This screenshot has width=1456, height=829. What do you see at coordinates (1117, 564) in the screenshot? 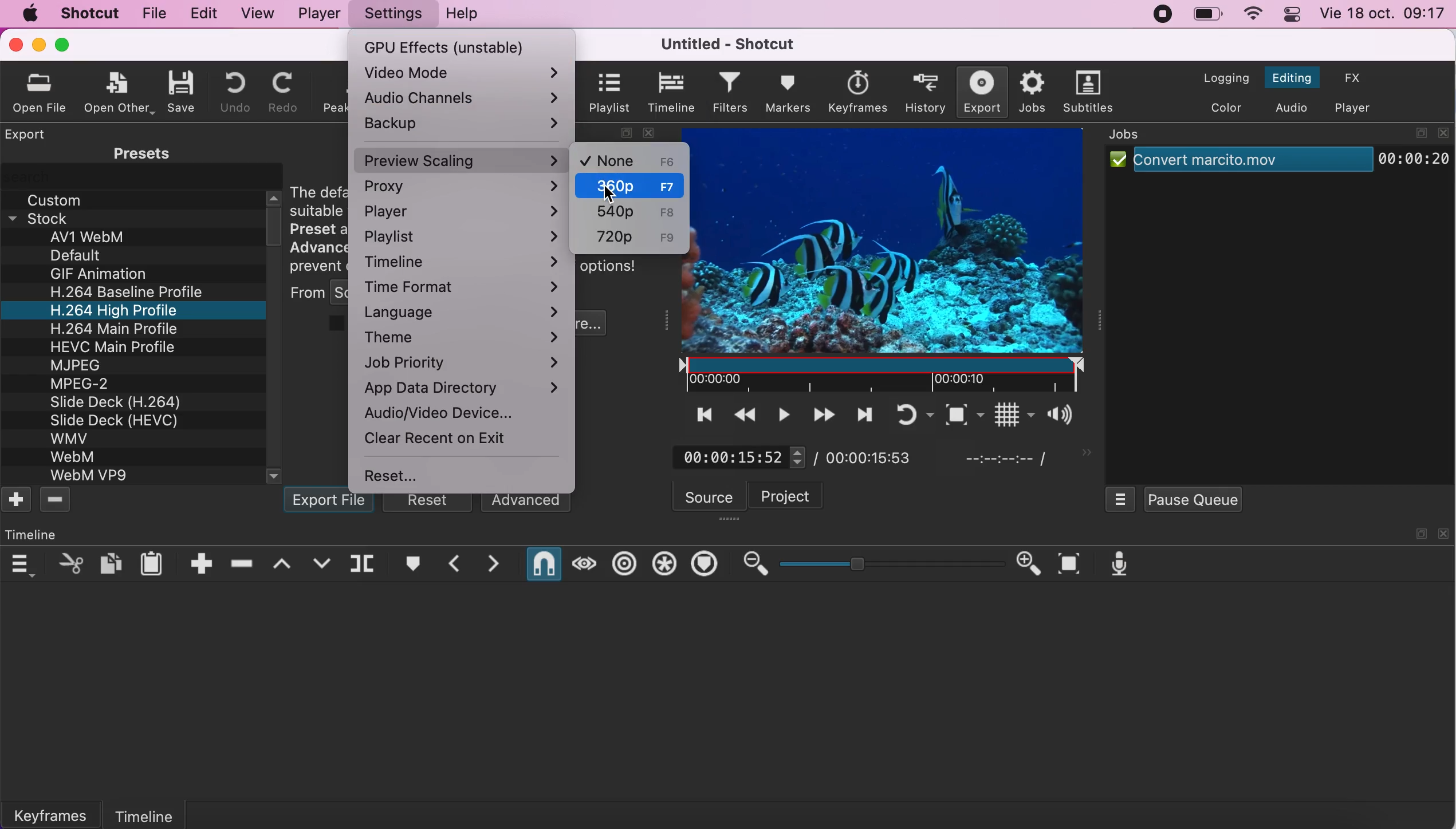
I see `record audio` at bounding box center [1117, 564].